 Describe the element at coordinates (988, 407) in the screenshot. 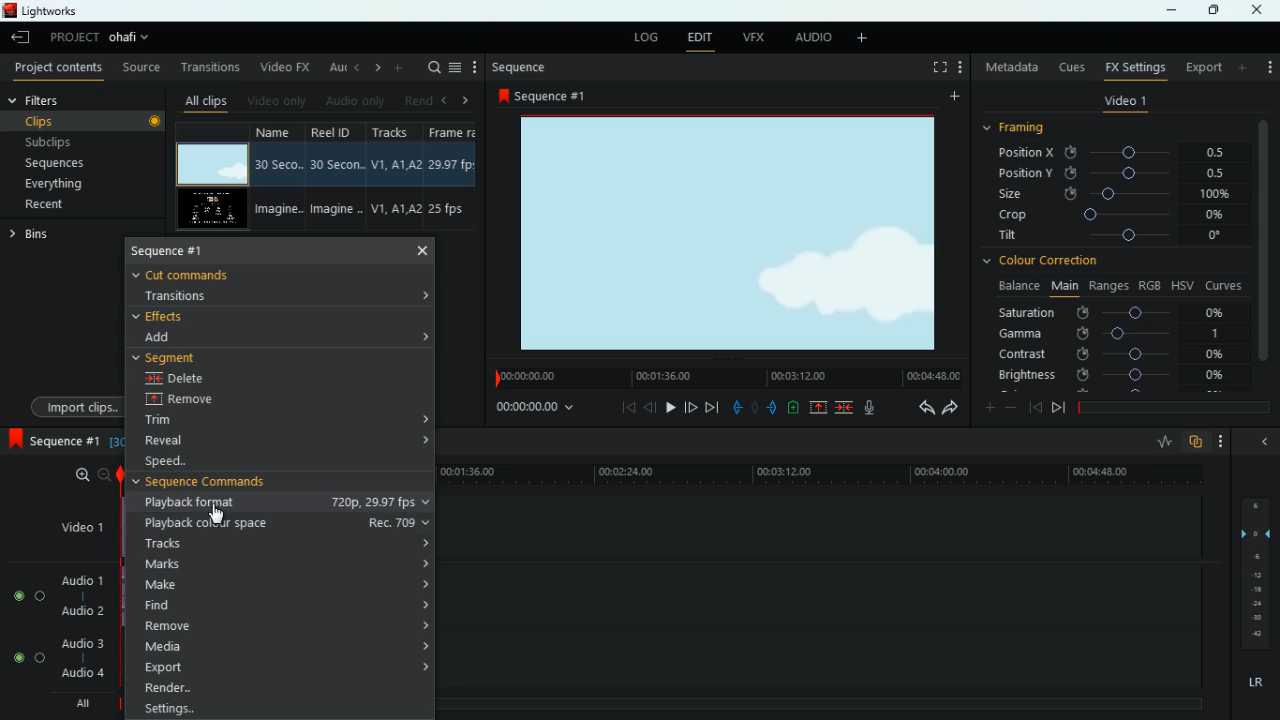

I see `more` at that location.